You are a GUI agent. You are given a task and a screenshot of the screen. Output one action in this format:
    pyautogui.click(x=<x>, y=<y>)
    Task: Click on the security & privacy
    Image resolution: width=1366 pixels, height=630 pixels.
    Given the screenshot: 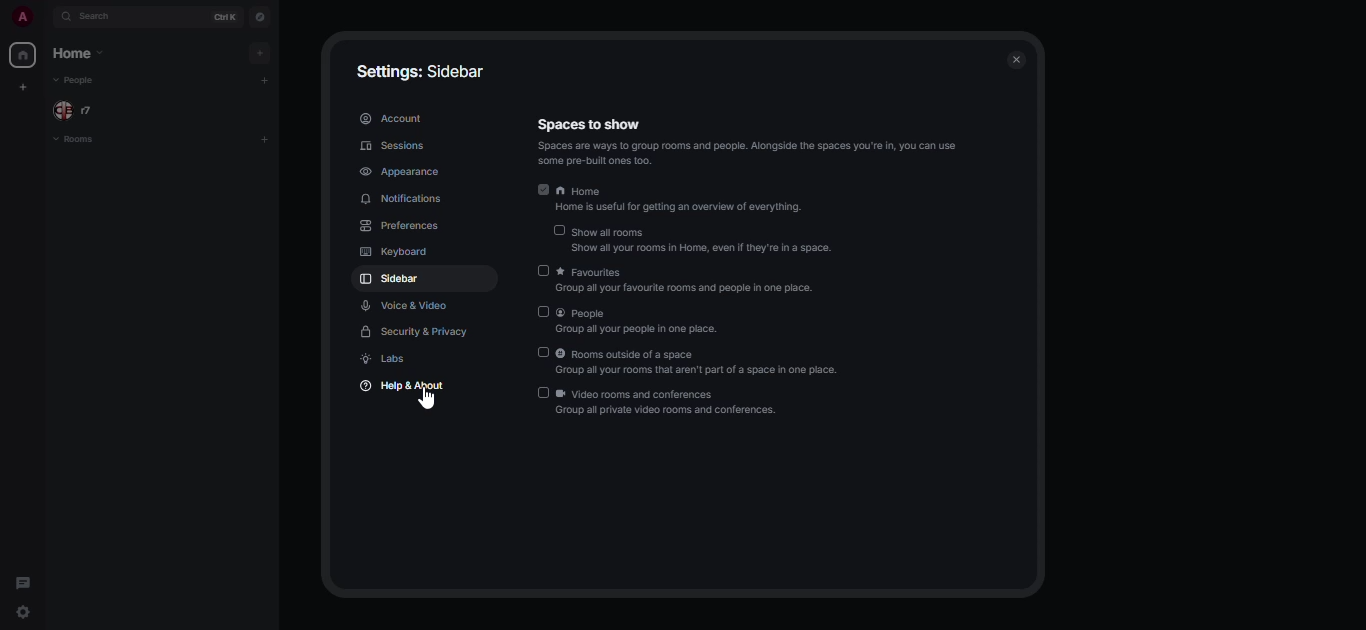 What is the action you would take?
    pyautogui.click(x=416, y=332)
    